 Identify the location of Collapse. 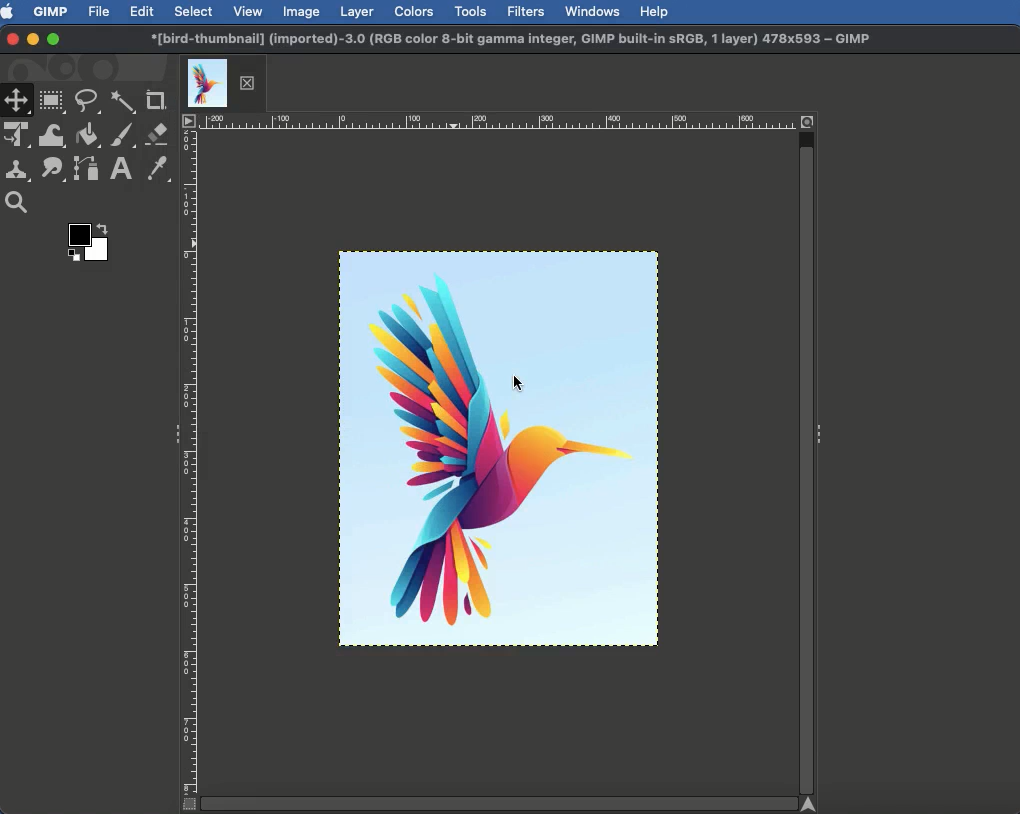
(174, 433).